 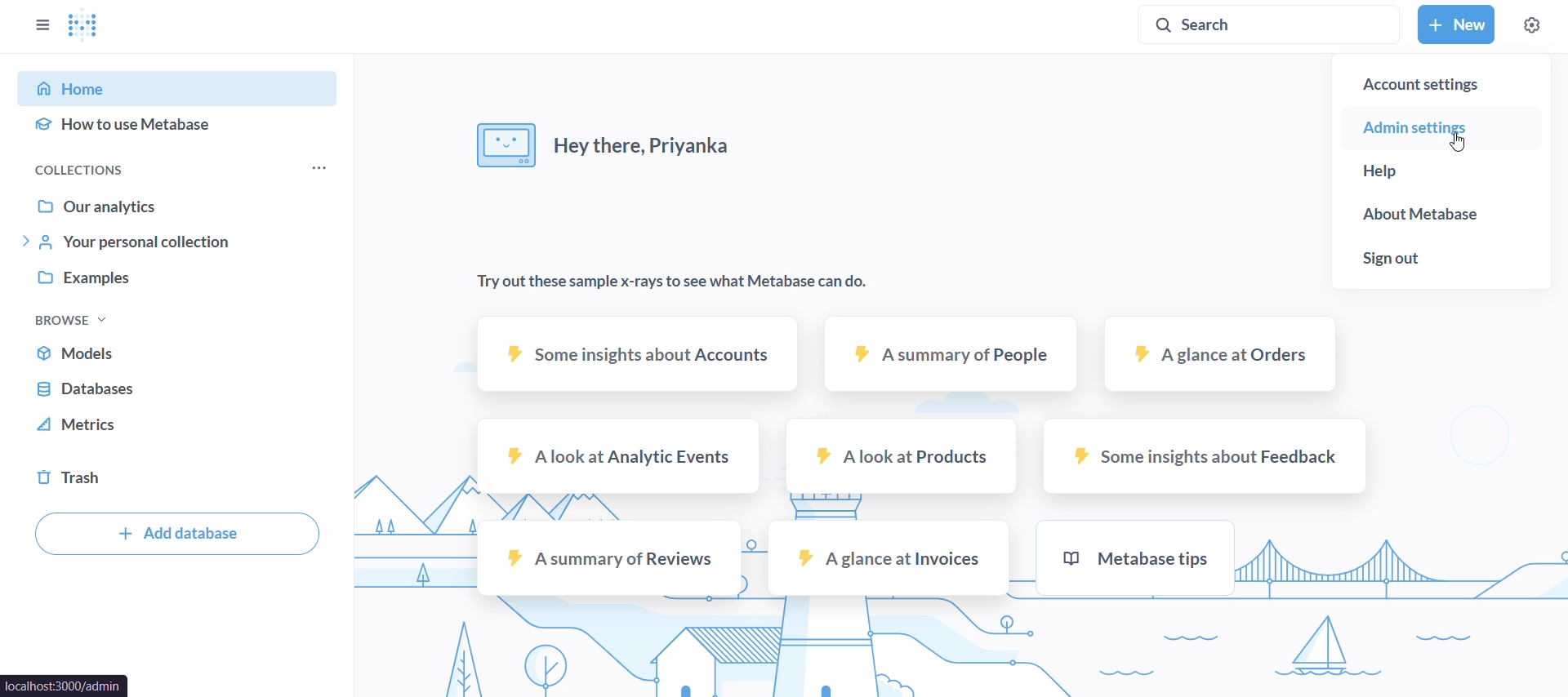 I want to click on hey there, Priyanka, so click(x=610, y=150).